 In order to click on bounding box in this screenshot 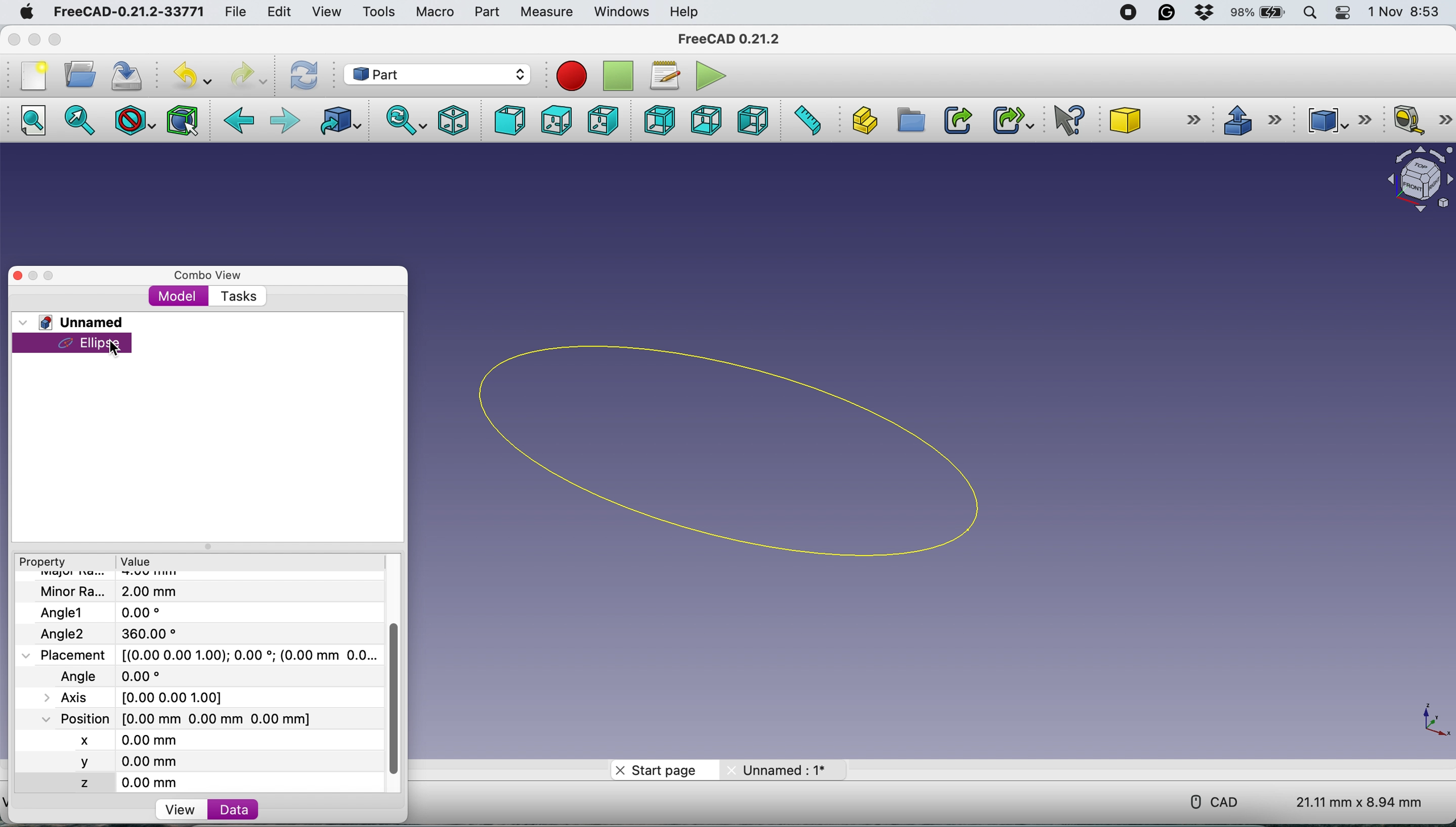, I will do `click(181, 120)`.